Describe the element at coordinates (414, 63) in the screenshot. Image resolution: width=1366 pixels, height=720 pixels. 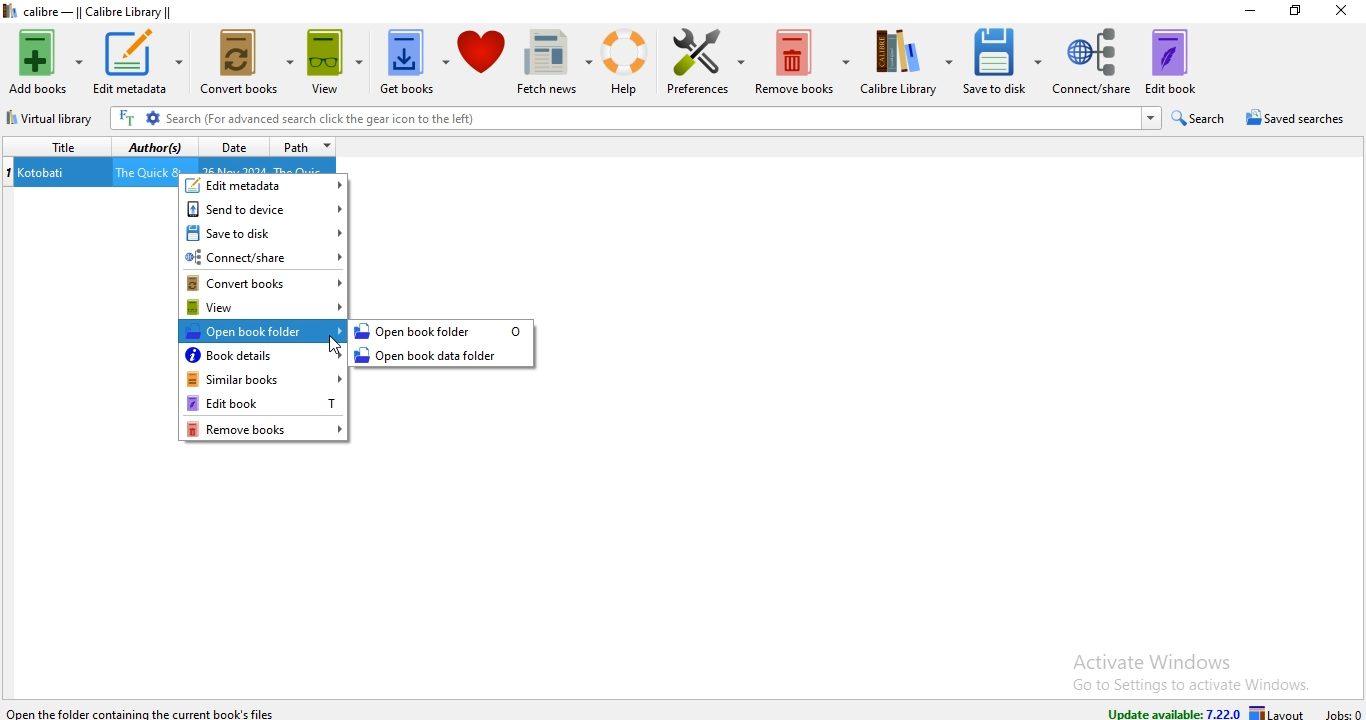
I see `get books` at that location.